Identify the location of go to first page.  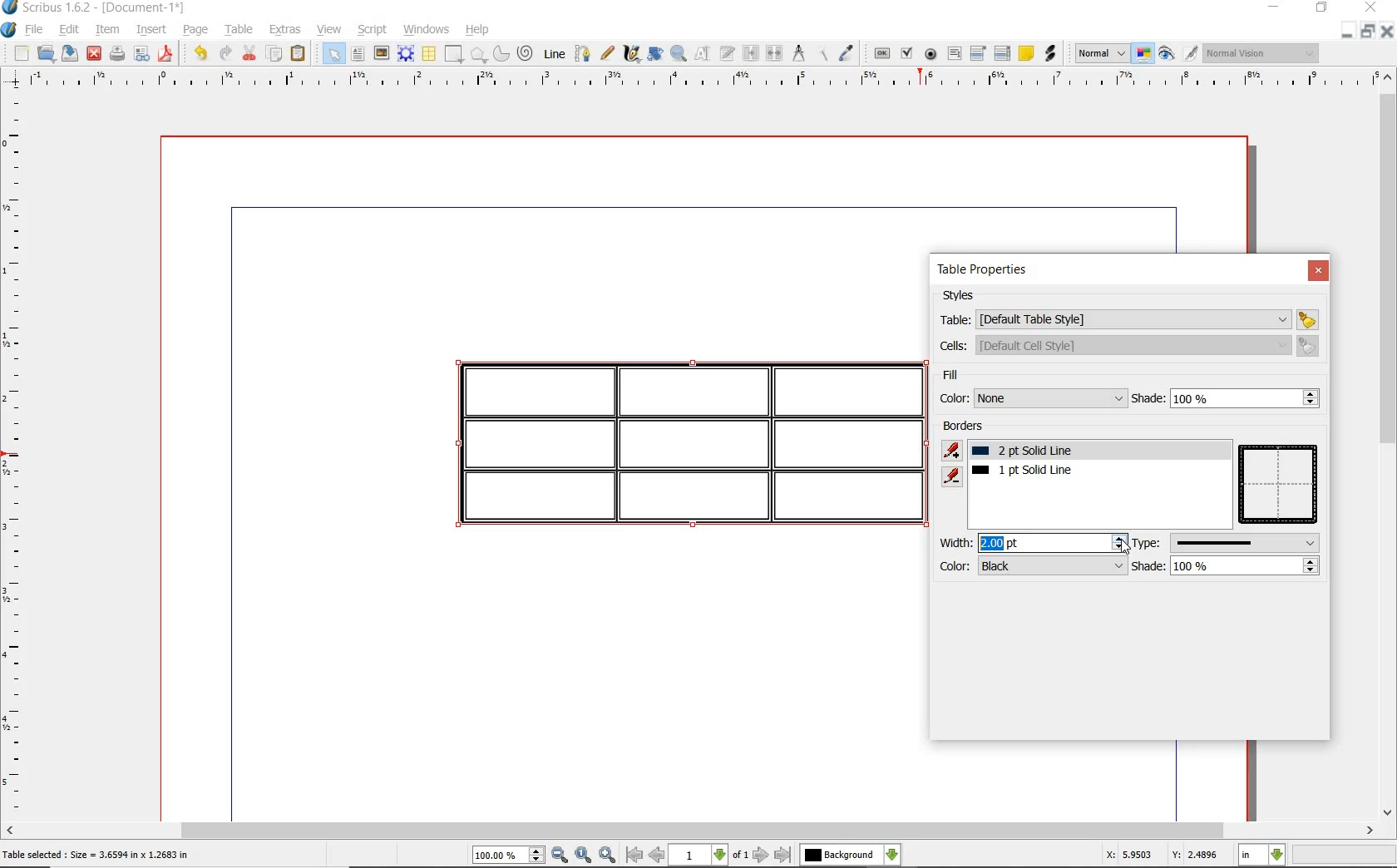
(634, 856).